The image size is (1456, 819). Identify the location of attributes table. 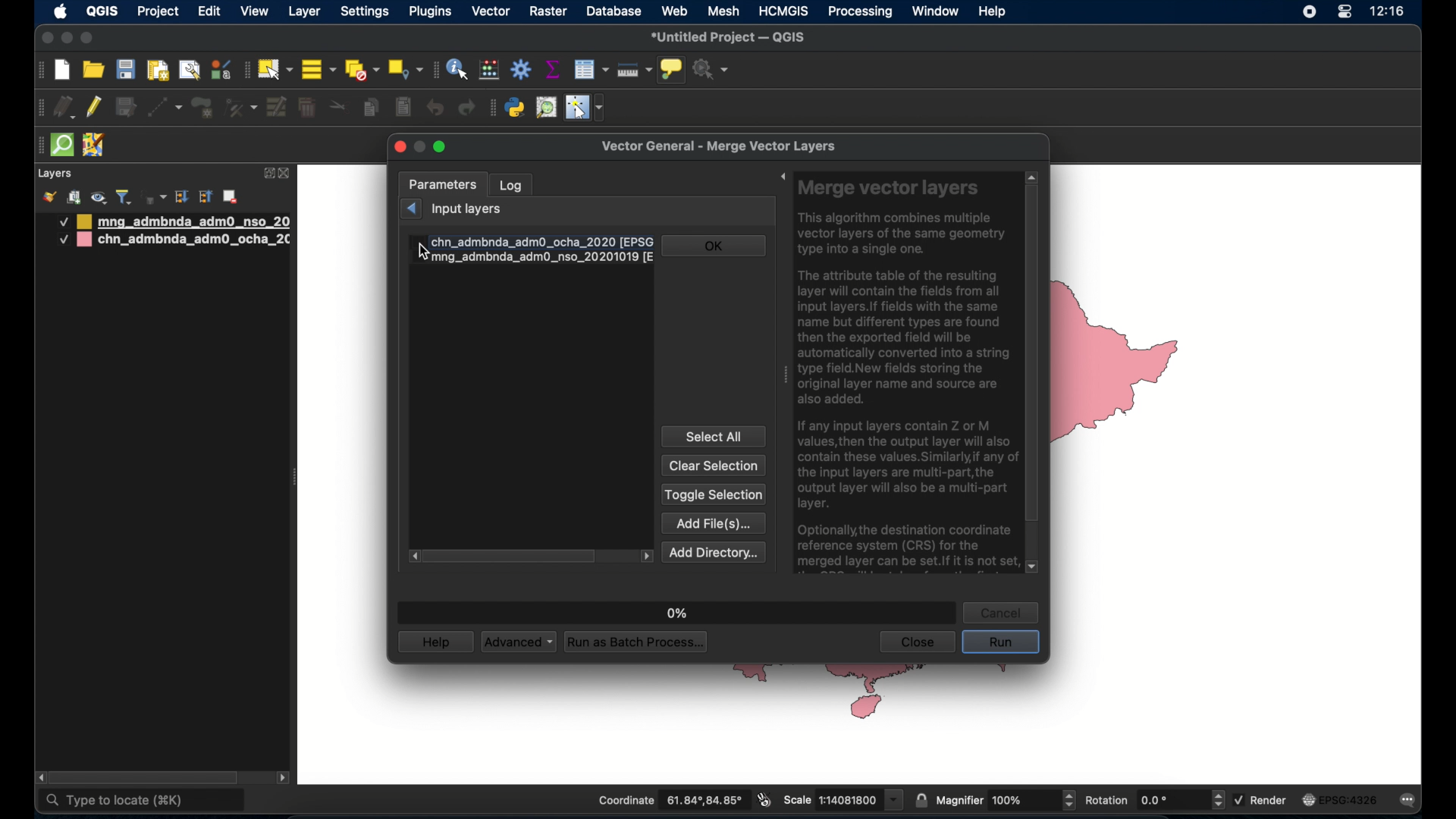
(591, 69).